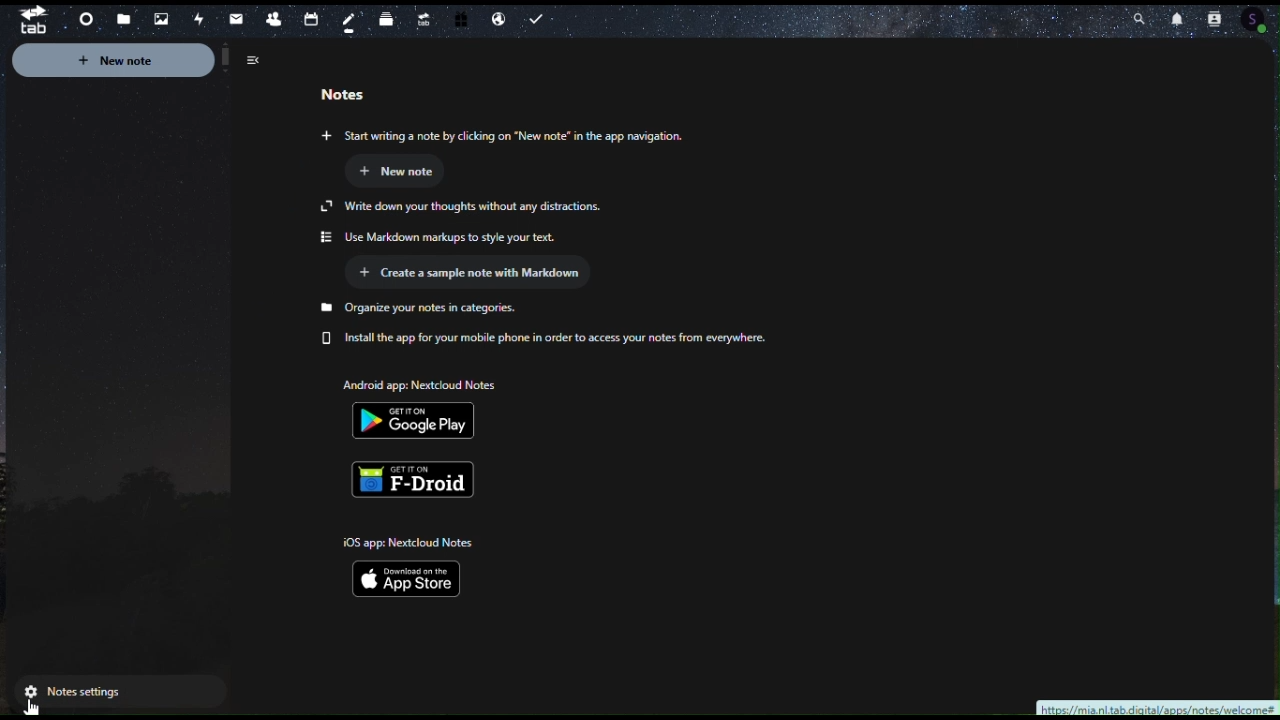 The height and width of the screenshot is (720, 1280). What do you see at coordinates (26, 19) in the screenshot?
I see `tab` at bounding box center [26, 19].